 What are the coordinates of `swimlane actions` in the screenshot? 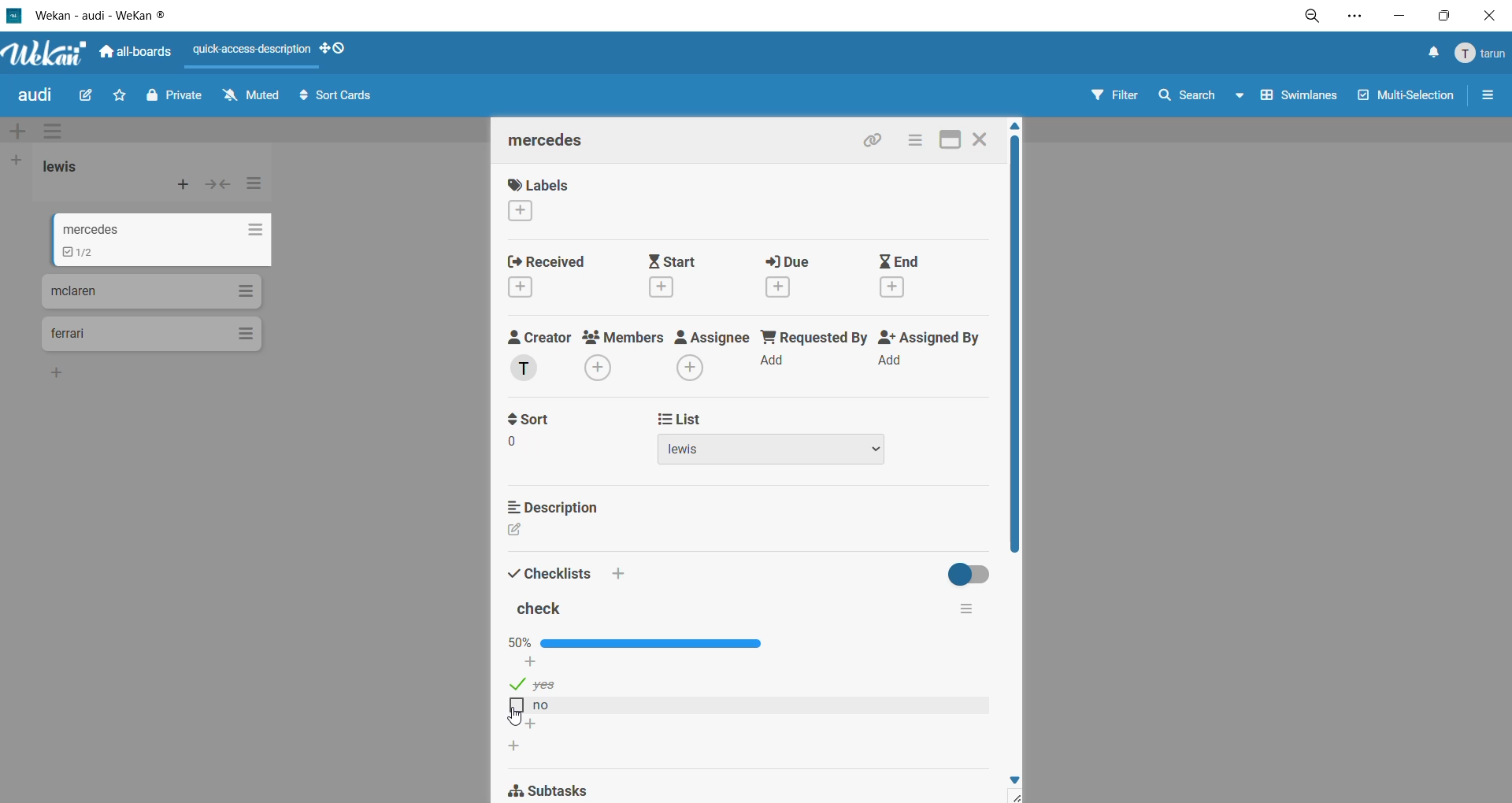 It's located at (50, 128).